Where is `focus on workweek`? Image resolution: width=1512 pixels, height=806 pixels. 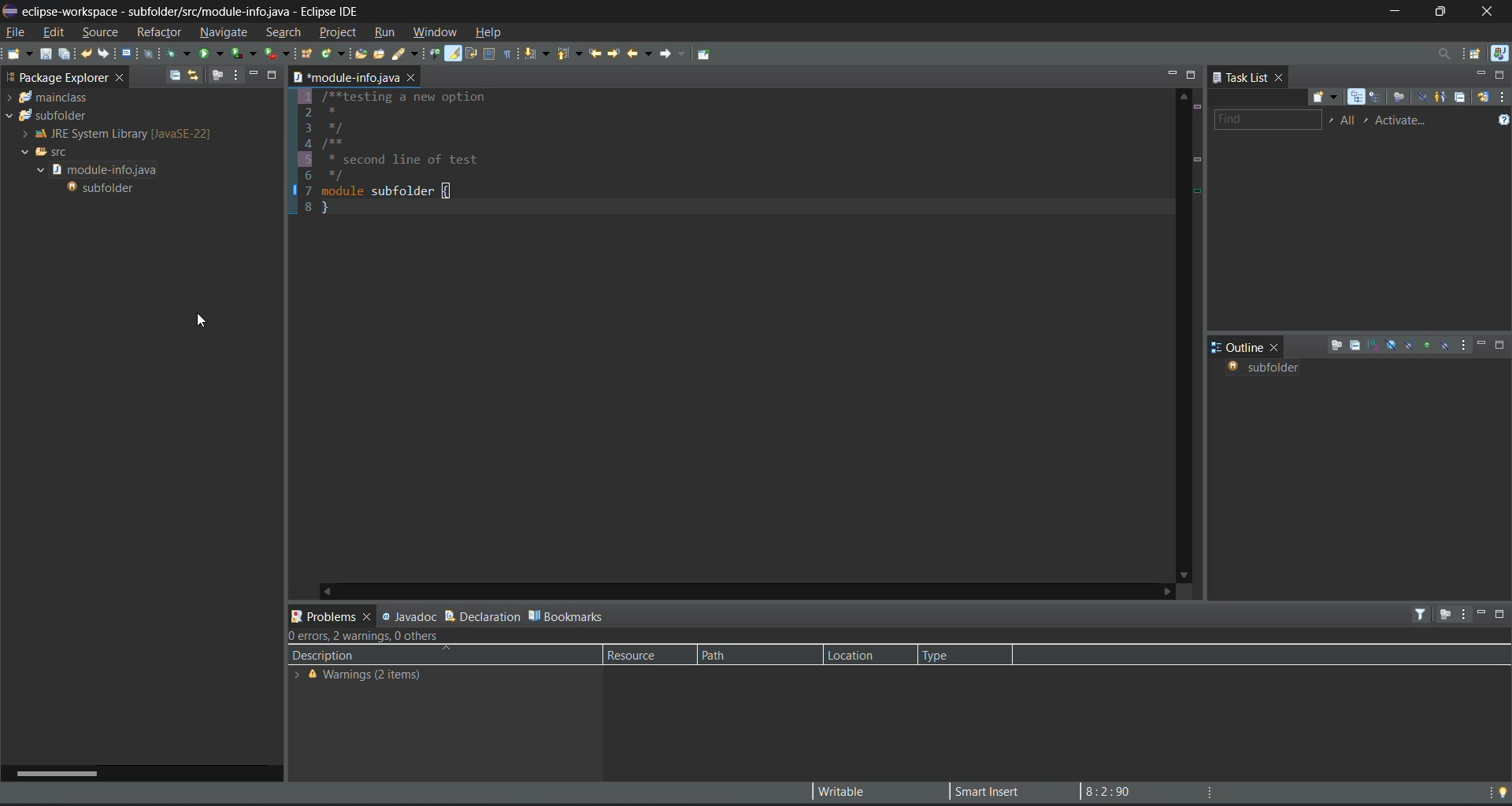 focus on workweek is located at coordinates (1401, 98).